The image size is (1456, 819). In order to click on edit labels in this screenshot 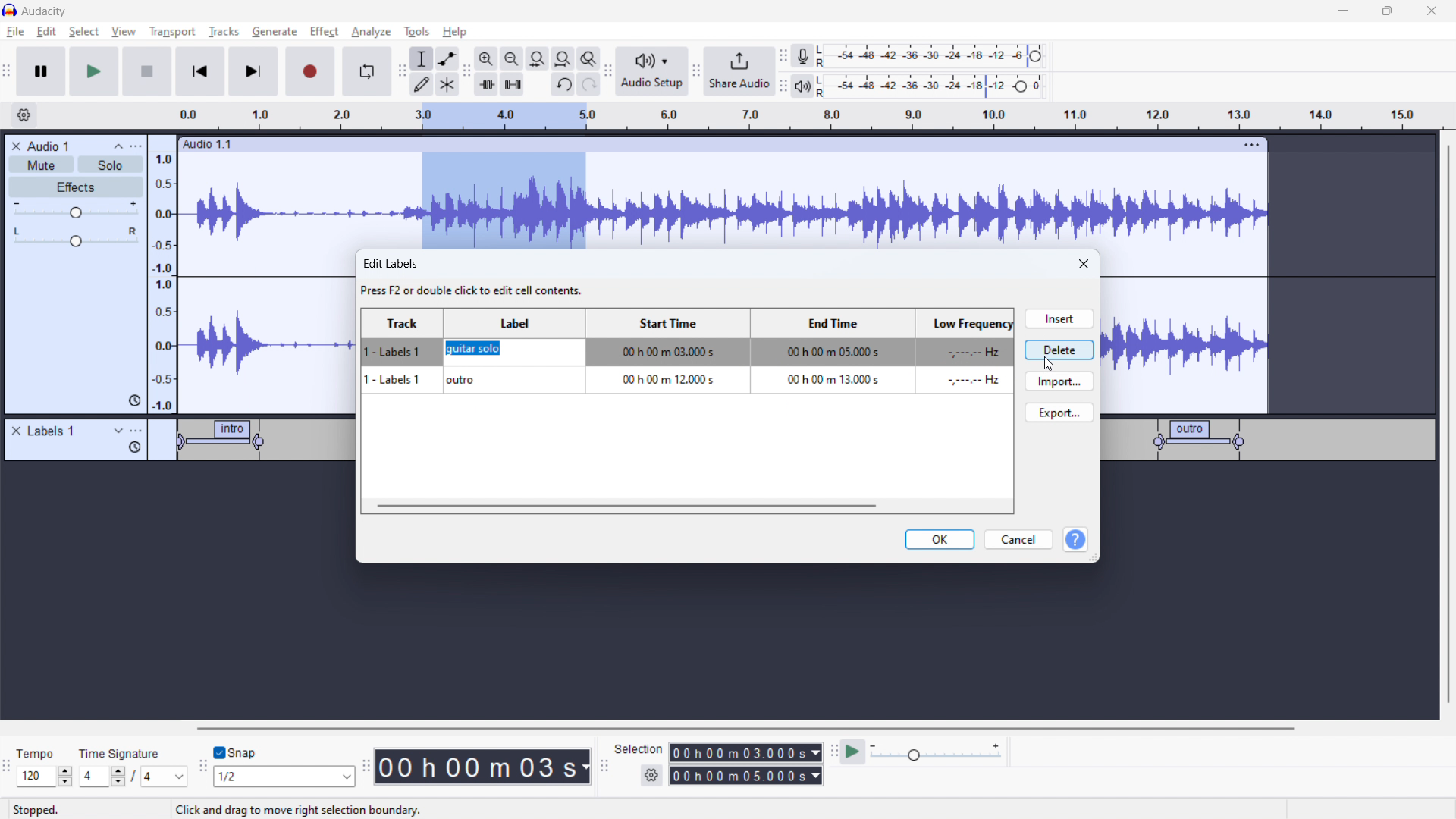, I will do `click(475, 278)`.